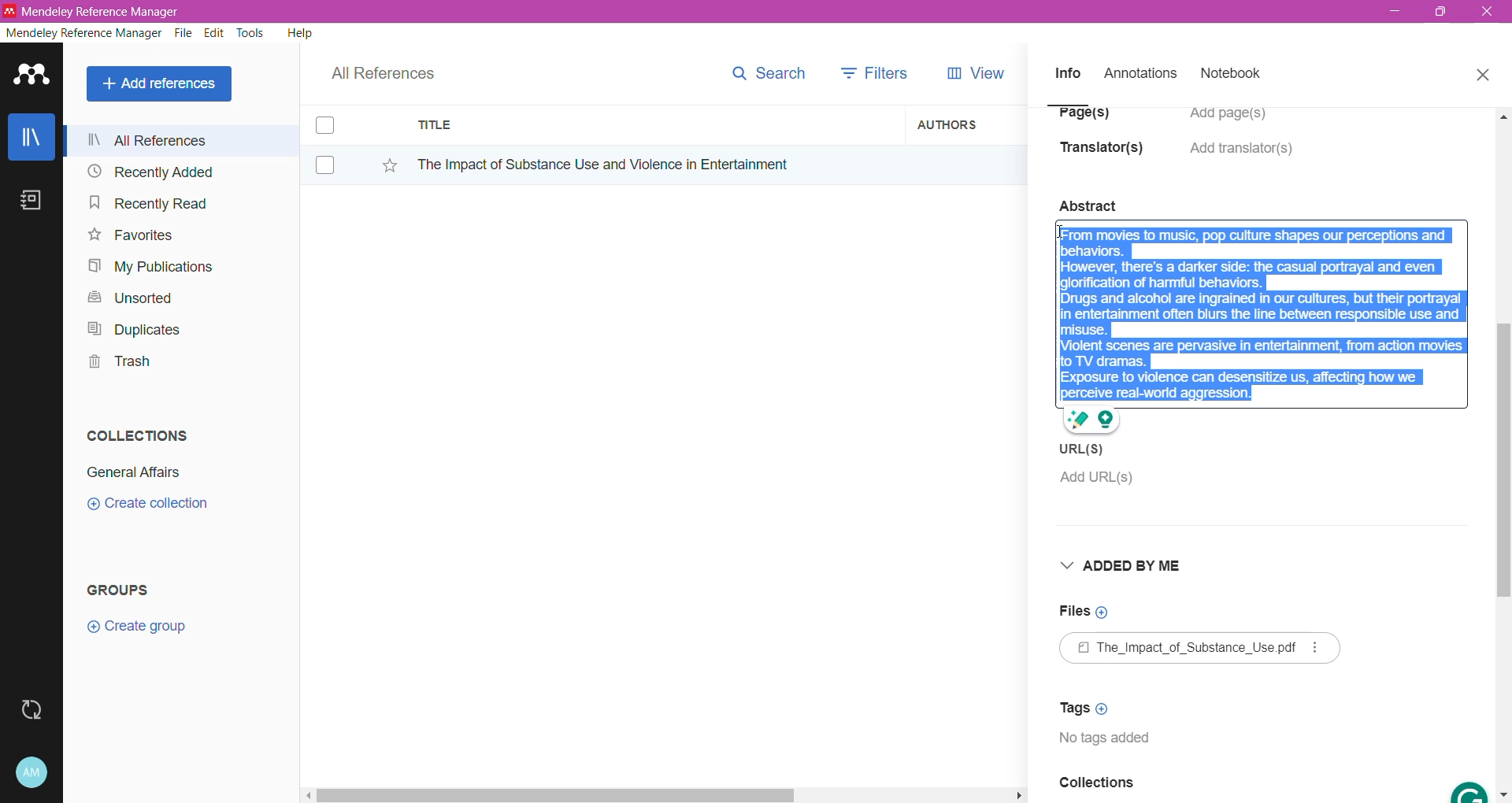  Describe the element at coordinates (381, 162) in the screenshot. I see `Click to Add to Favorites` at that location.